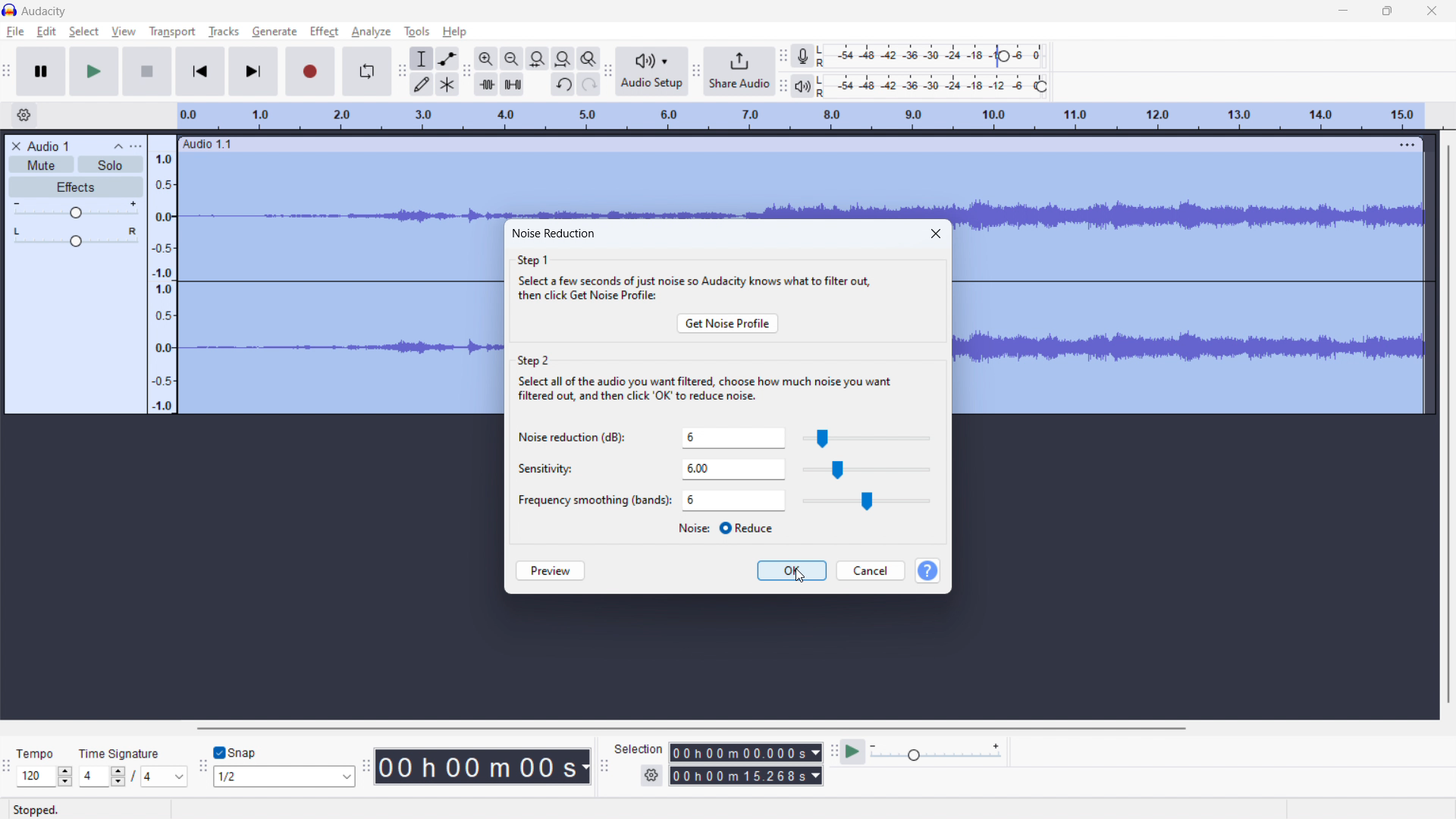 Image resolution: width=1456 pixels, height=819 pixels. I want to click on tracks, so click(223, 31).